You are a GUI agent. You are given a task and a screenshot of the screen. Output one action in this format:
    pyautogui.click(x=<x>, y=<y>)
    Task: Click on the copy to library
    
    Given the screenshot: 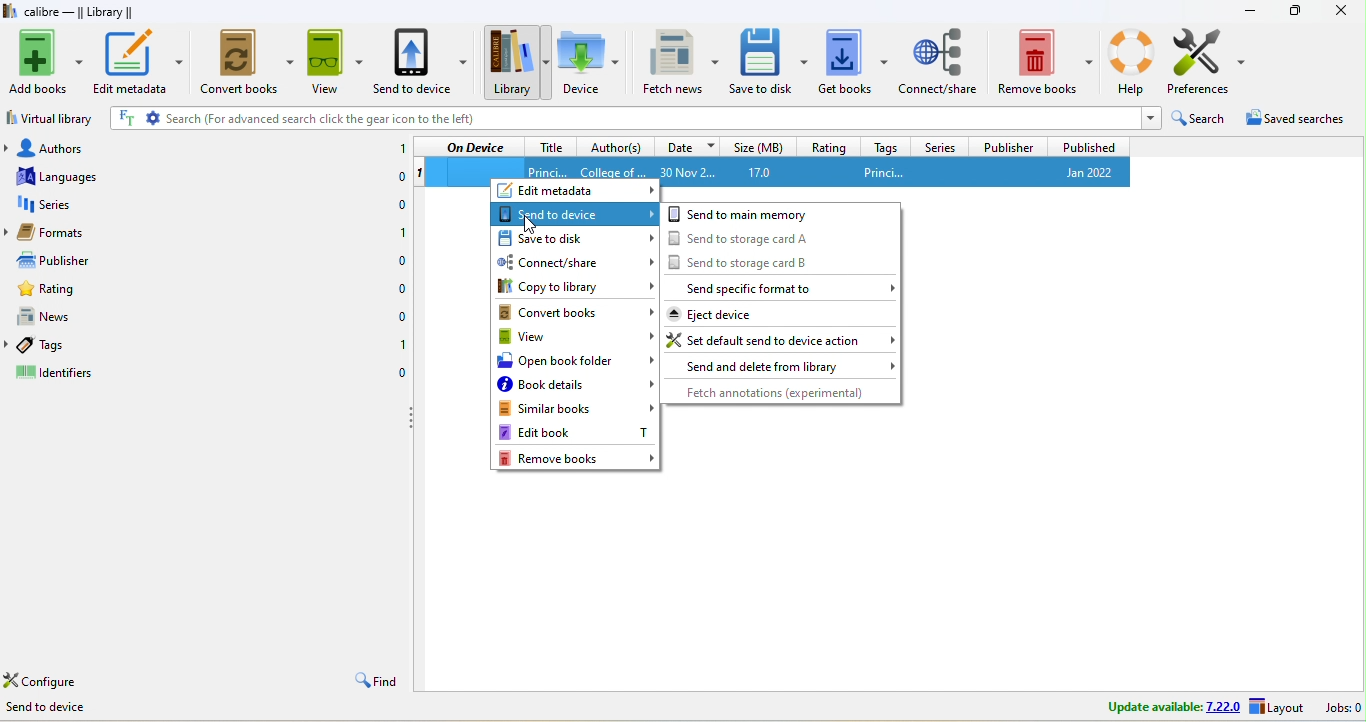 What is the action you would take?
    pyautogui.click(x=575, y=288)
    